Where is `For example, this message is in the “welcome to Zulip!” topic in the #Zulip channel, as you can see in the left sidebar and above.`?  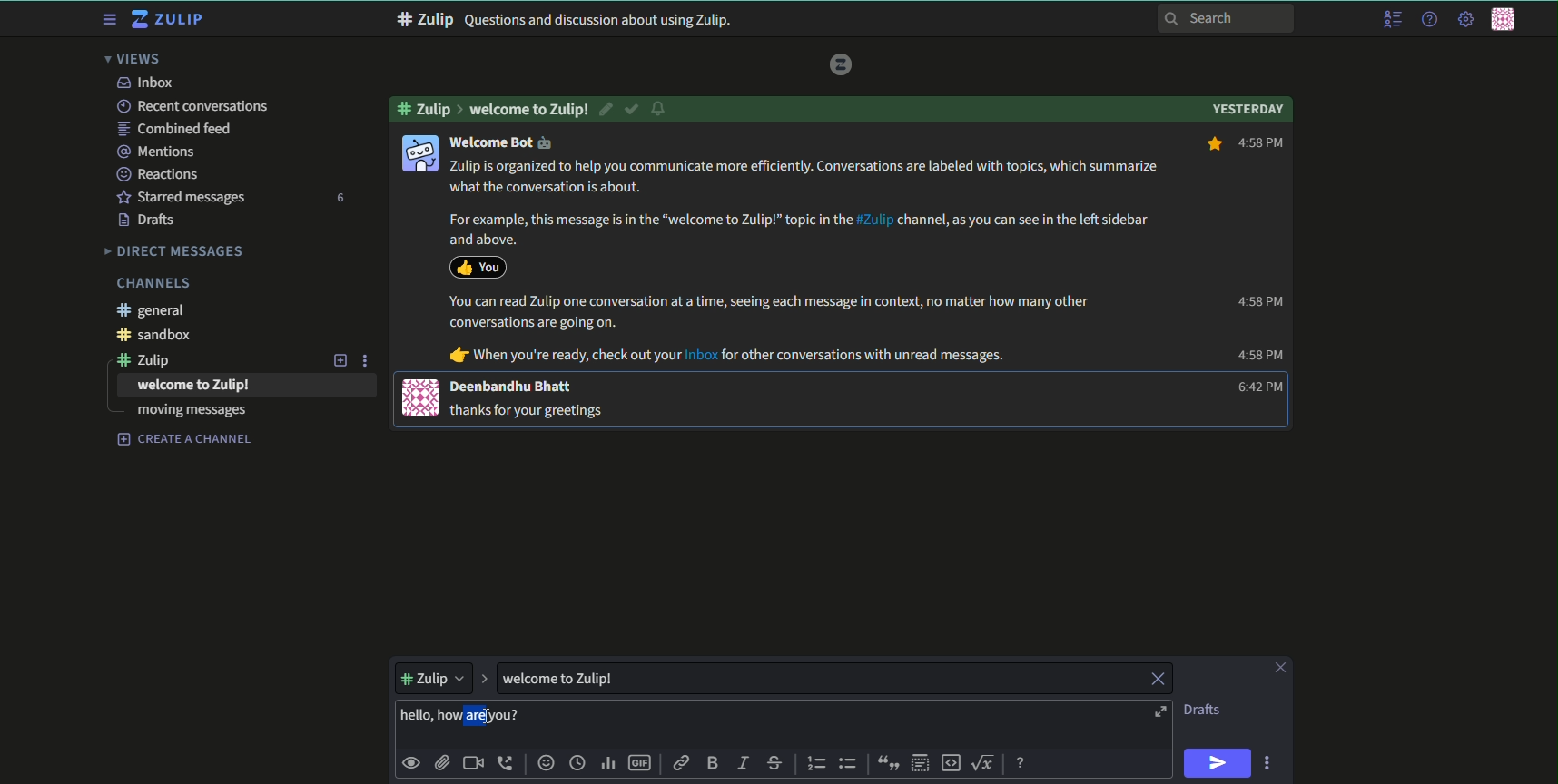 For example, this message is in the “welcome to Zulip!” topic in the #Zulip channel, as you can see in the left sidebar and above. is located at coordinates (794, 229).